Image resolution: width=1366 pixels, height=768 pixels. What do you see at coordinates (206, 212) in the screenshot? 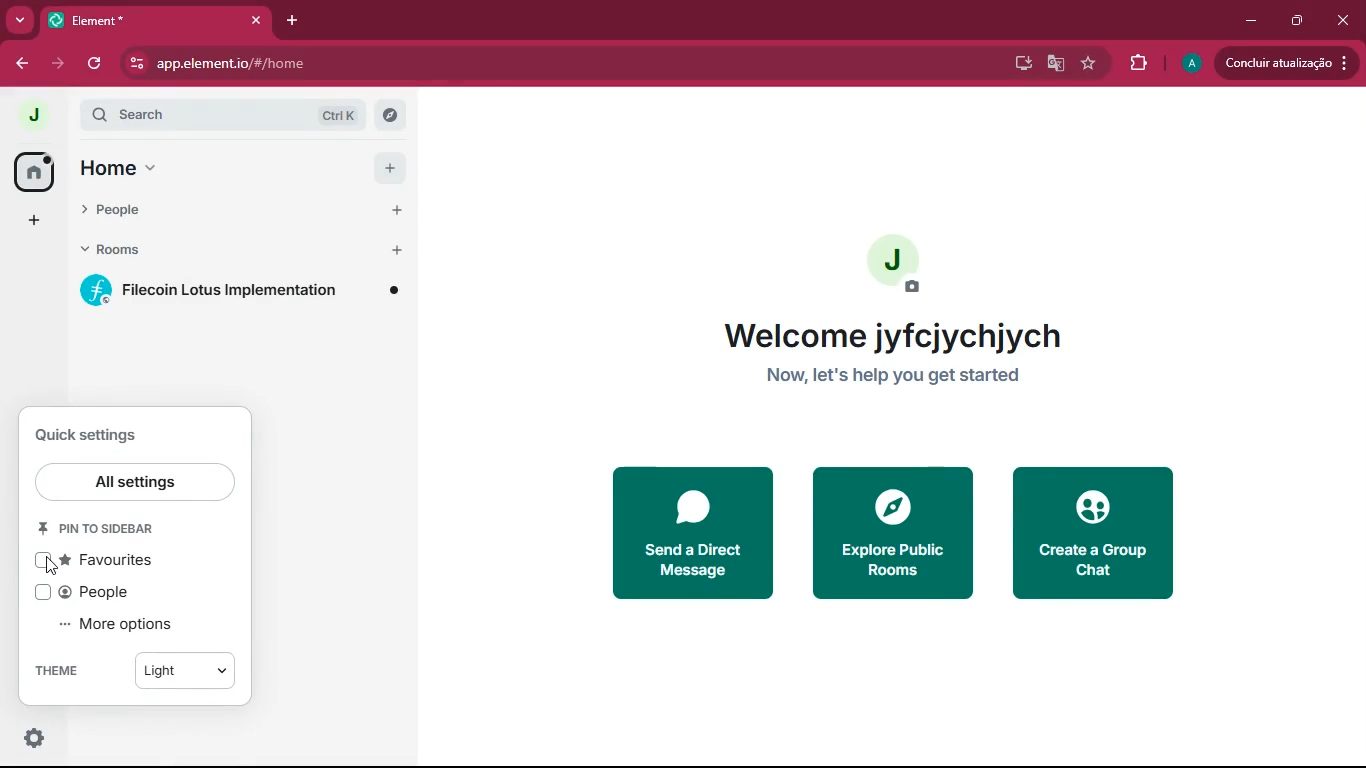
I see `people` at bounding box center [206, 212].